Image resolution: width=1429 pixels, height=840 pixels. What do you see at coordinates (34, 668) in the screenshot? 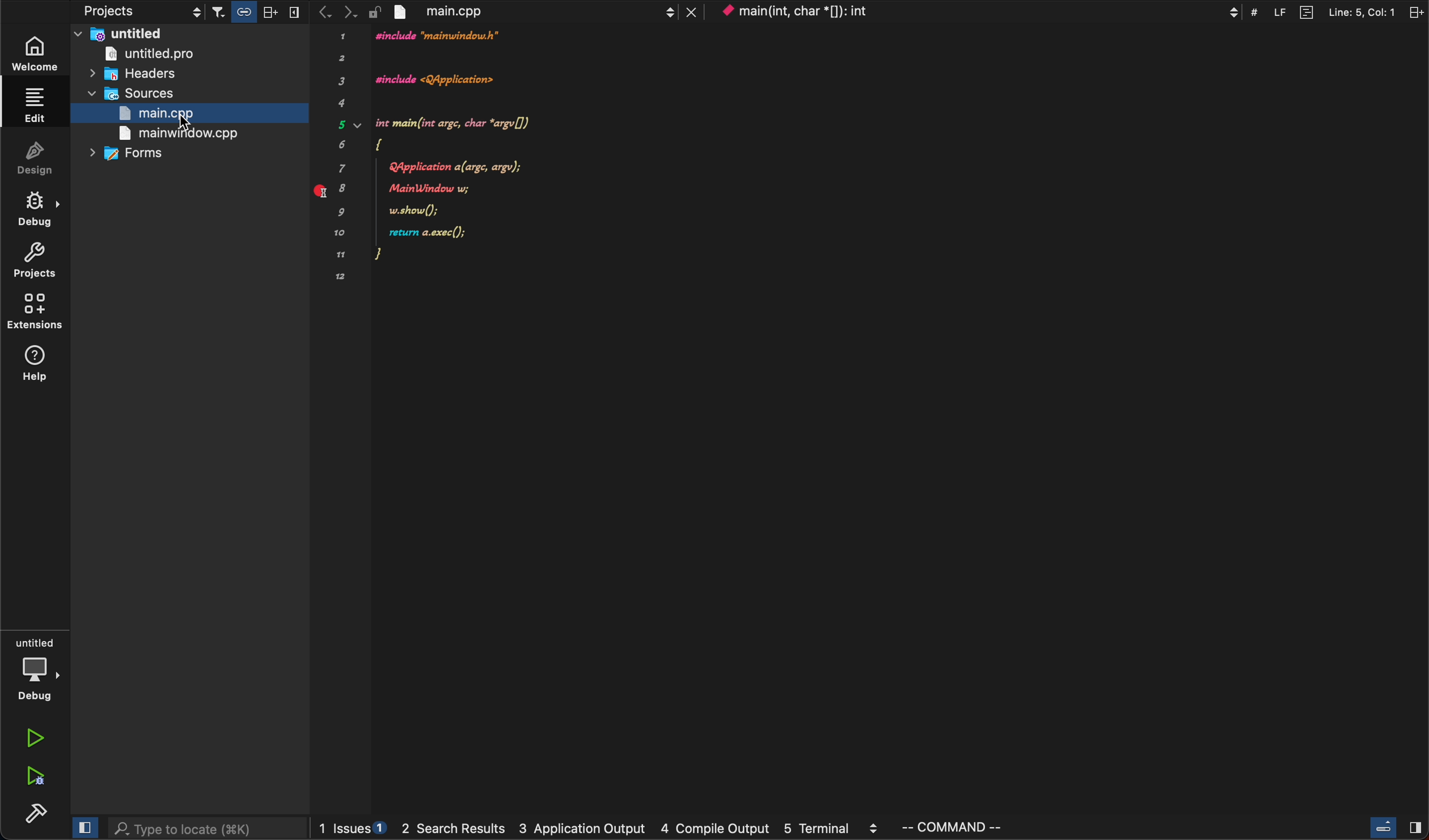
I see `debug` at bounding box center [34, 668].